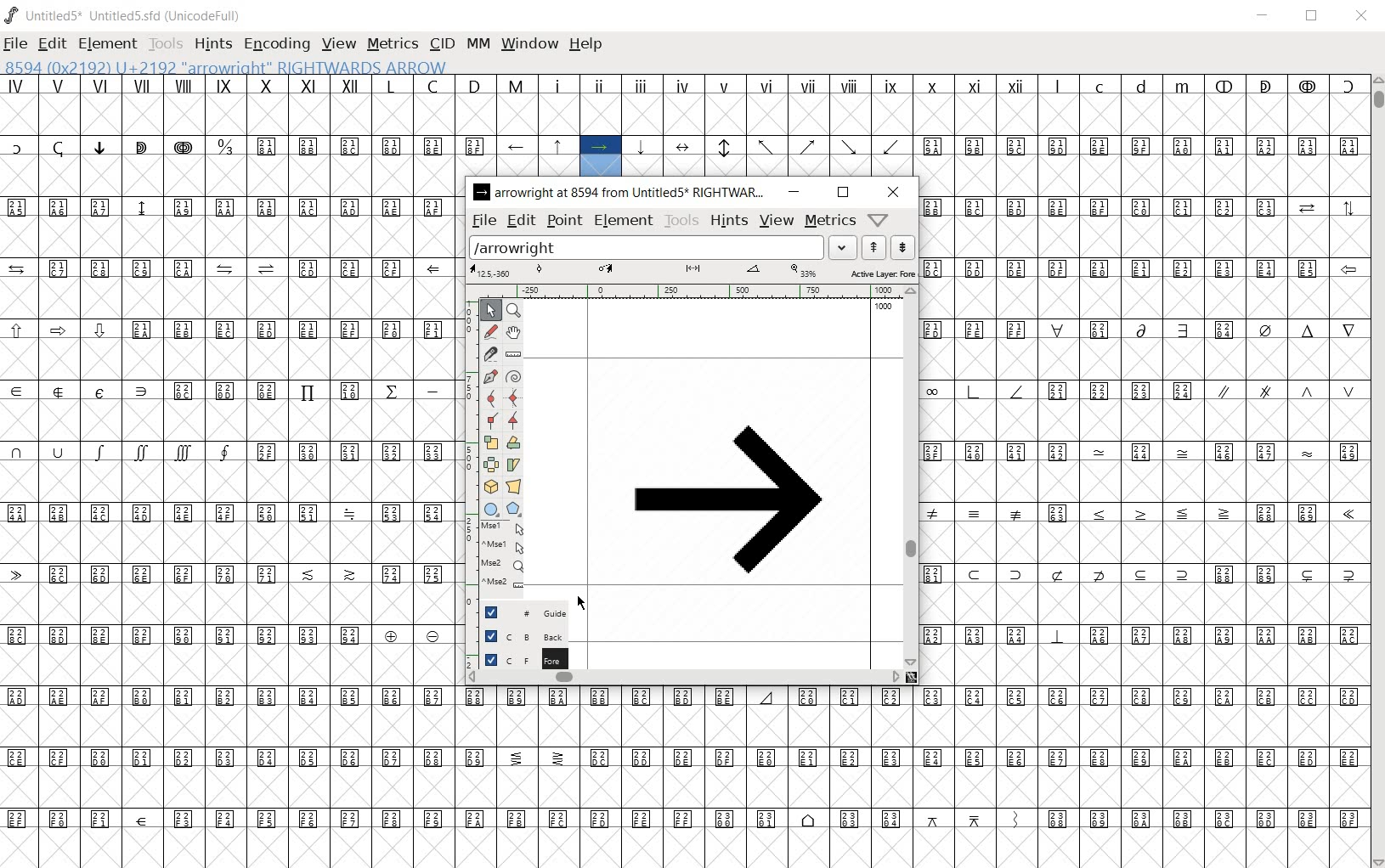  What do you see at coordinates (496, 558) in the screenshot?
I see `mse1 mse1 mse2 mse2` at bounding box center [496, 558].